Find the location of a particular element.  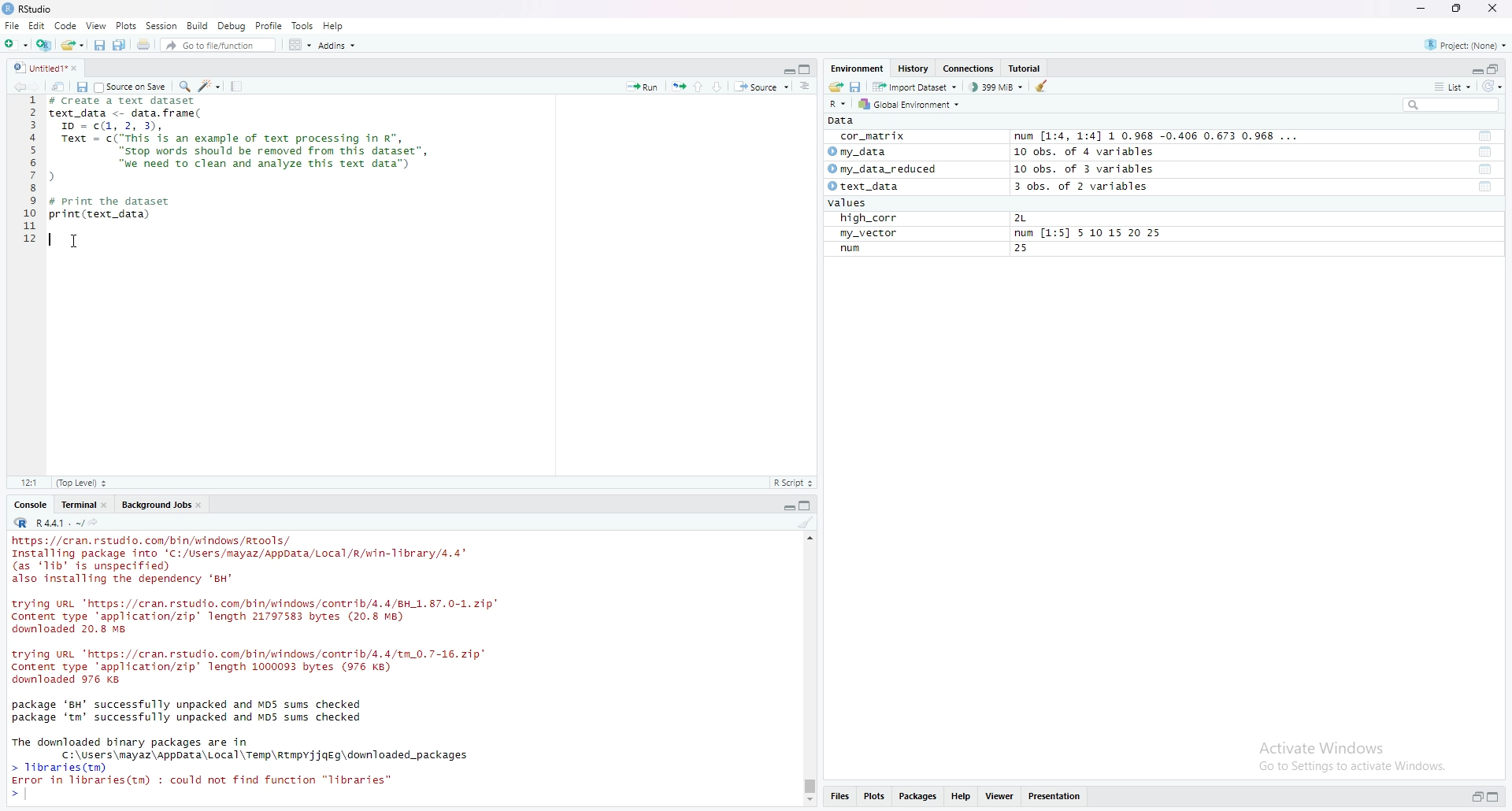

terminal is located at coordinates (83, 504).